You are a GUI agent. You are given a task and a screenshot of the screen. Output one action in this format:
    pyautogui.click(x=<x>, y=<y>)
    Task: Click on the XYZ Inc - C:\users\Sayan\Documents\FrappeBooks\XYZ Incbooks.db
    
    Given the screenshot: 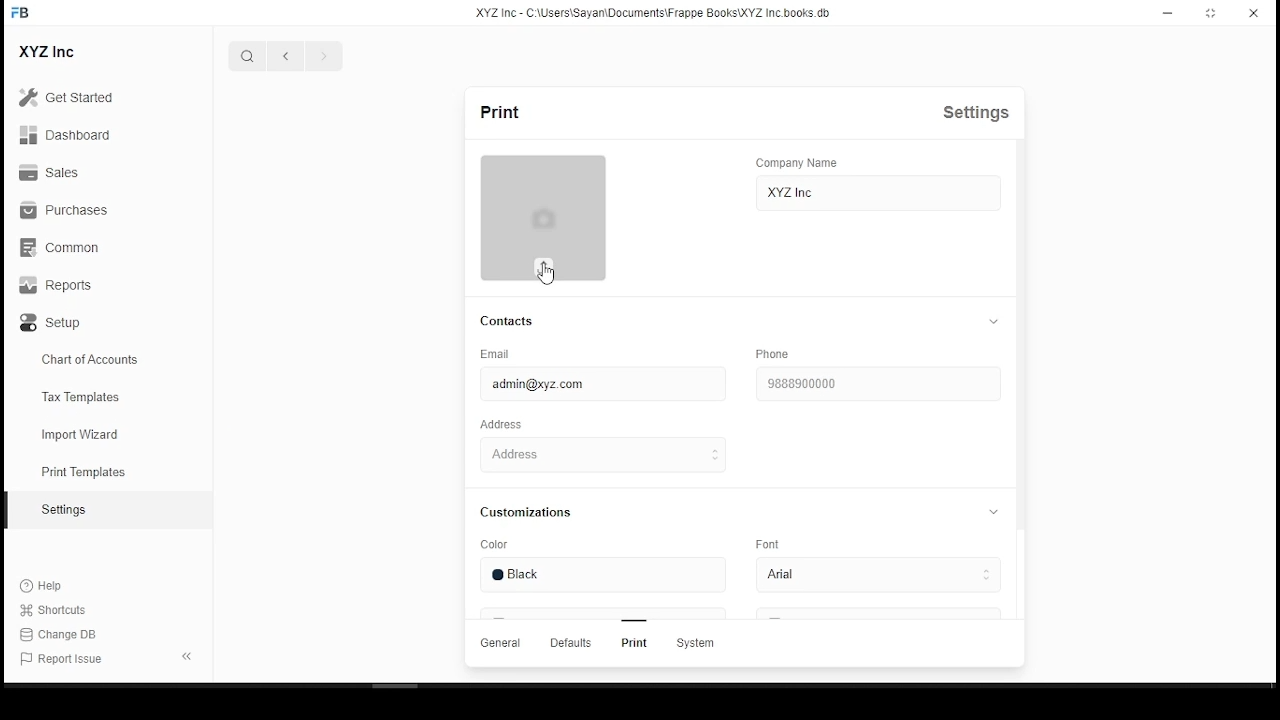 What is the action you would take?
    pyautogui.click(x=656, y=13)
    